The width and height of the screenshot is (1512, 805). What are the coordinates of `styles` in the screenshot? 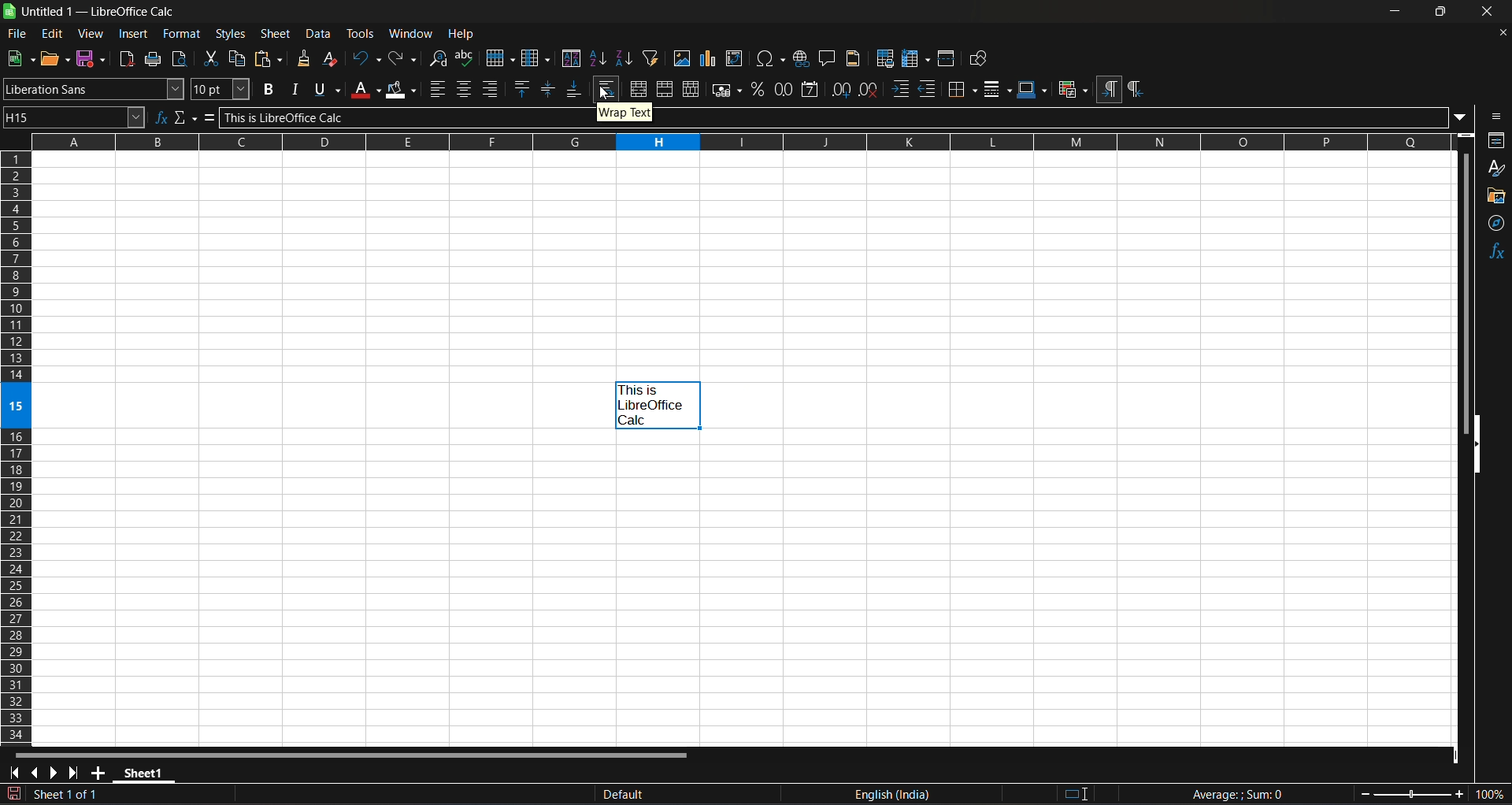 It's located at (234, 34).